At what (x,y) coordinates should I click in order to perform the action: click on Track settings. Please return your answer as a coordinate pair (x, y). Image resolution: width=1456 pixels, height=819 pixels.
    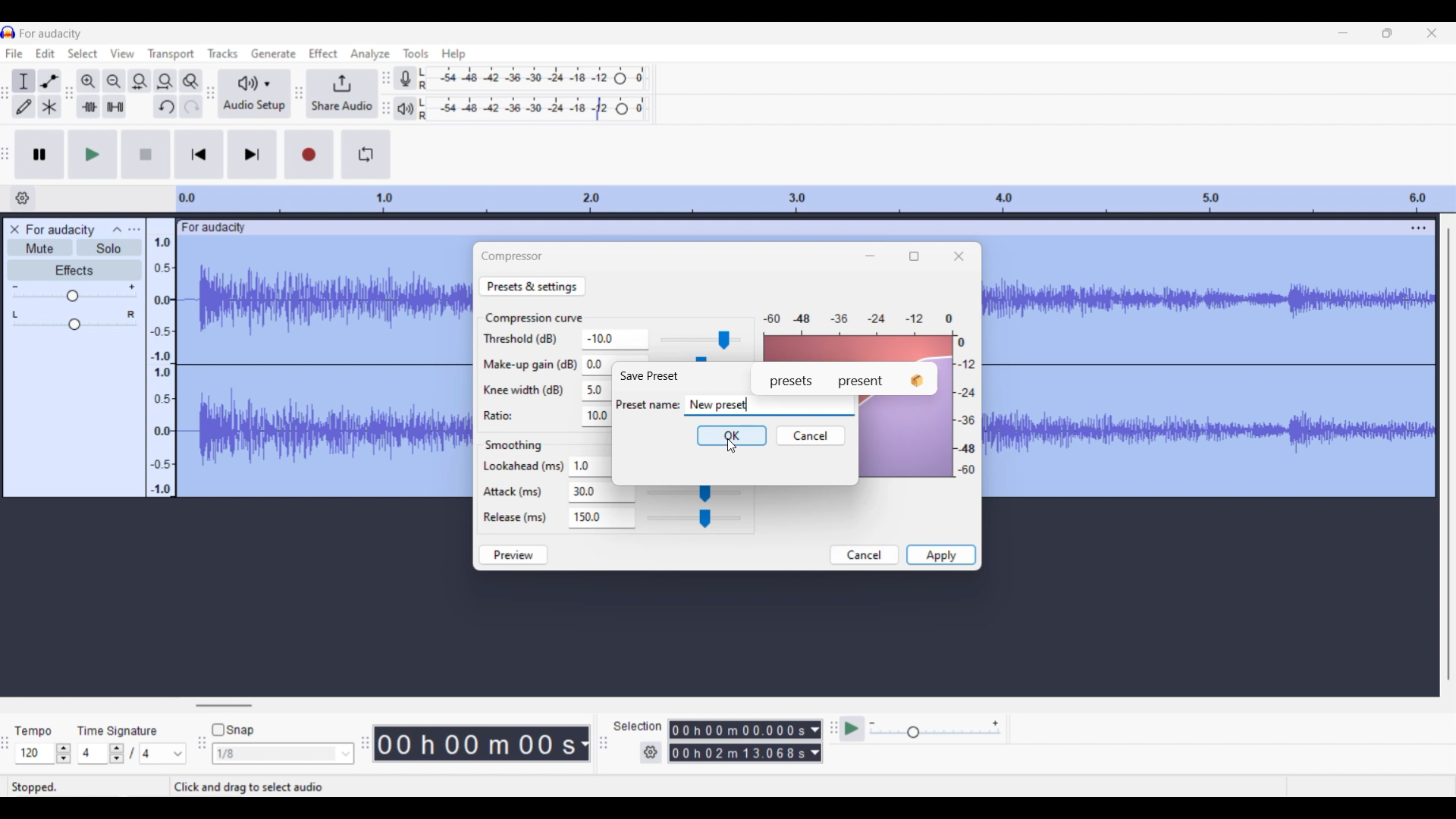
    Looking at the image, I should click on (1419, 227).